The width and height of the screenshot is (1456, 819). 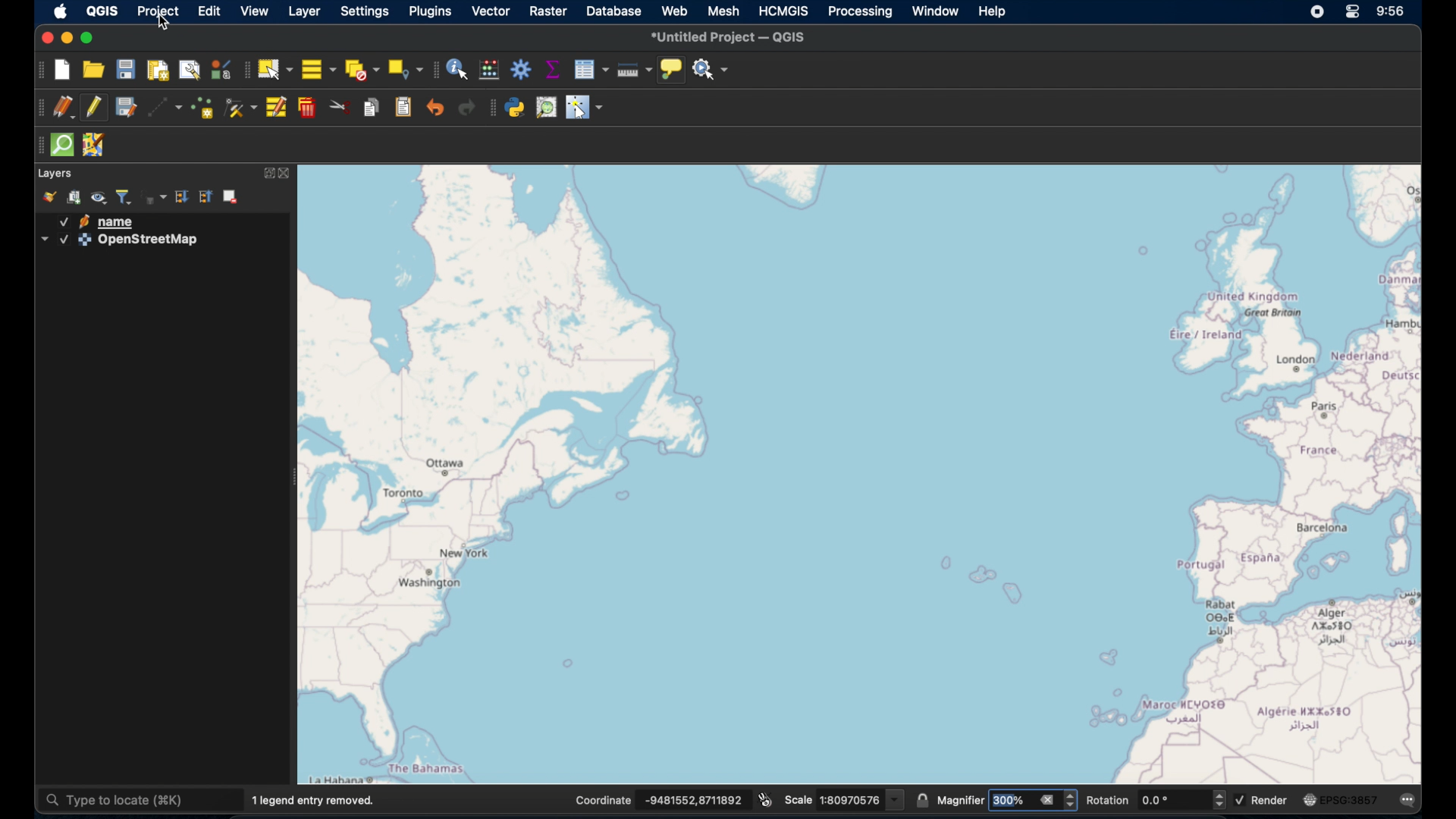 What do you see at coordinates (125, 108) in the screenshot?
I see `save edits` at bounding box center [125, 108].